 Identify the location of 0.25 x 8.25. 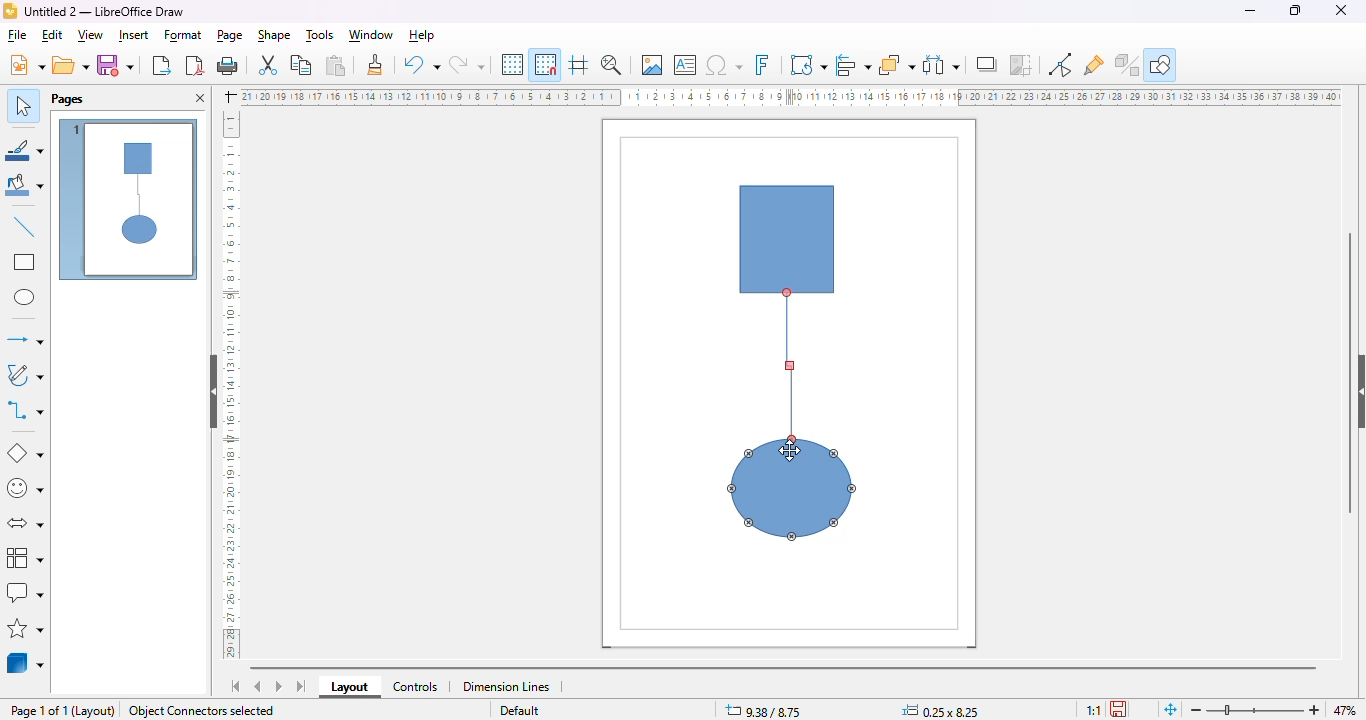
(941, 710).